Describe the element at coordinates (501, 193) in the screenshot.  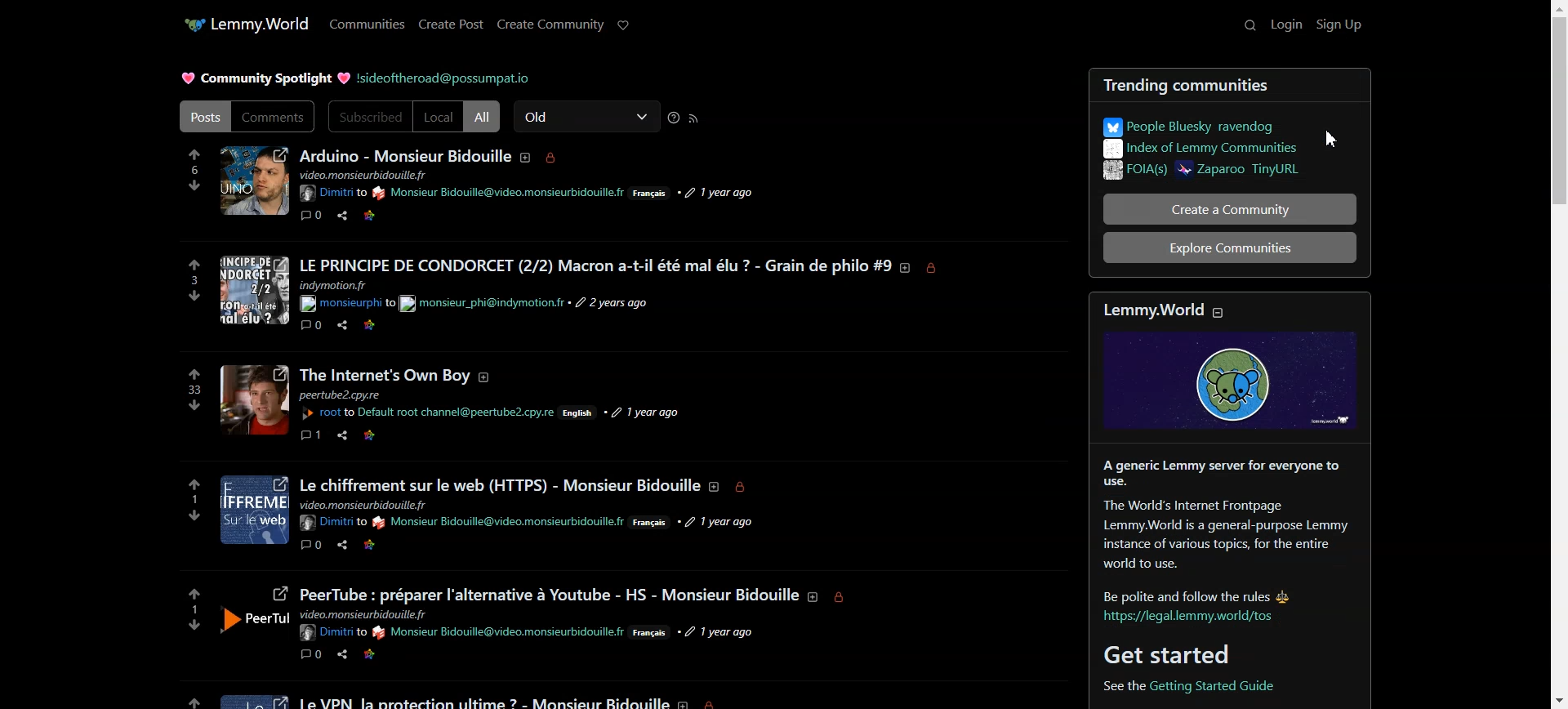
I see `hyperlink` at that location.